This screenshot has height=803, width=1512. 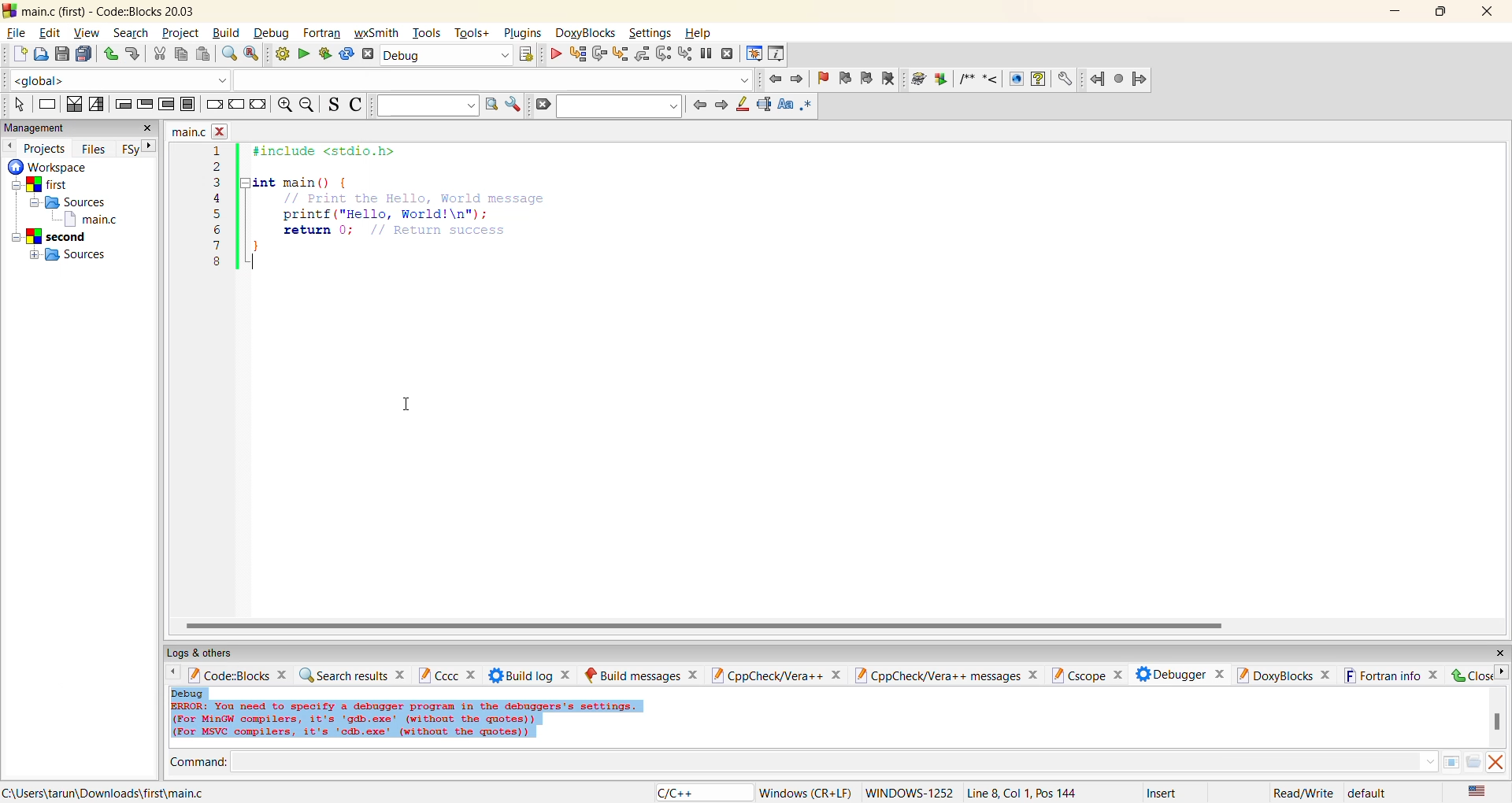 I want to click on doxyblocks, so click(x=1284, y=675).